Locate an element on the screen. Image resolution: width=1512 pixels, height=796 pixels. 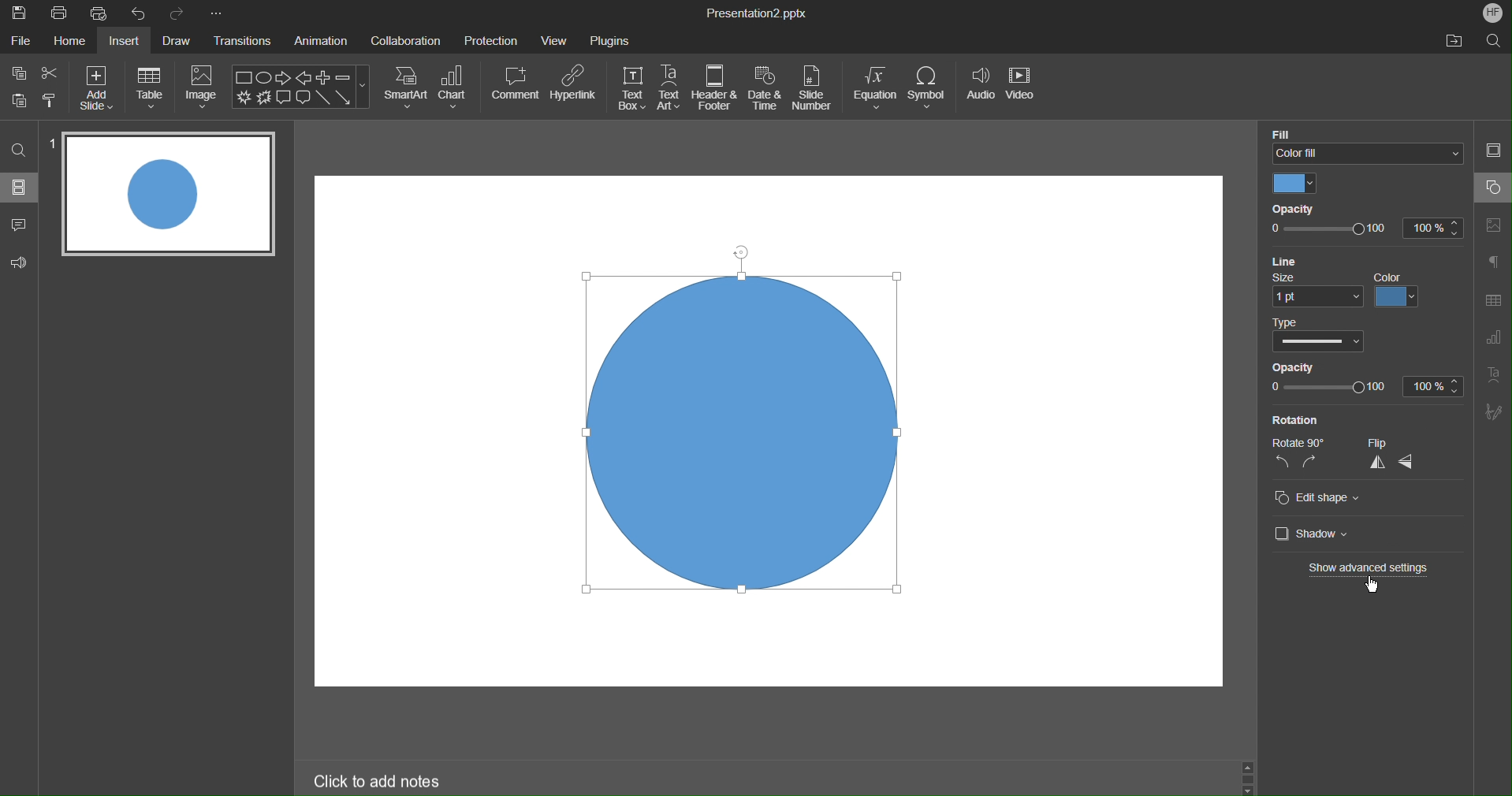
Insert is located at coordinates (128, 42).